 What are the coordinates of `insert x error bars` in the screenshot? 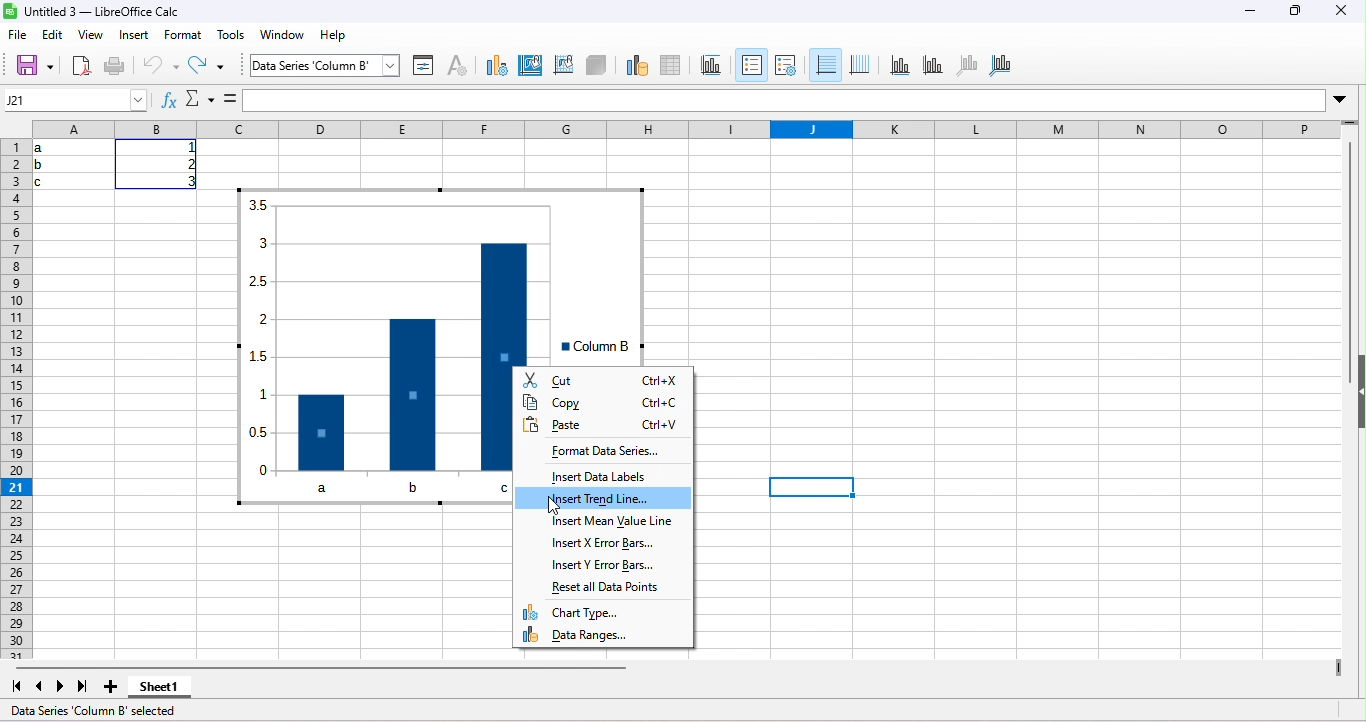 It's located at (609, 546).